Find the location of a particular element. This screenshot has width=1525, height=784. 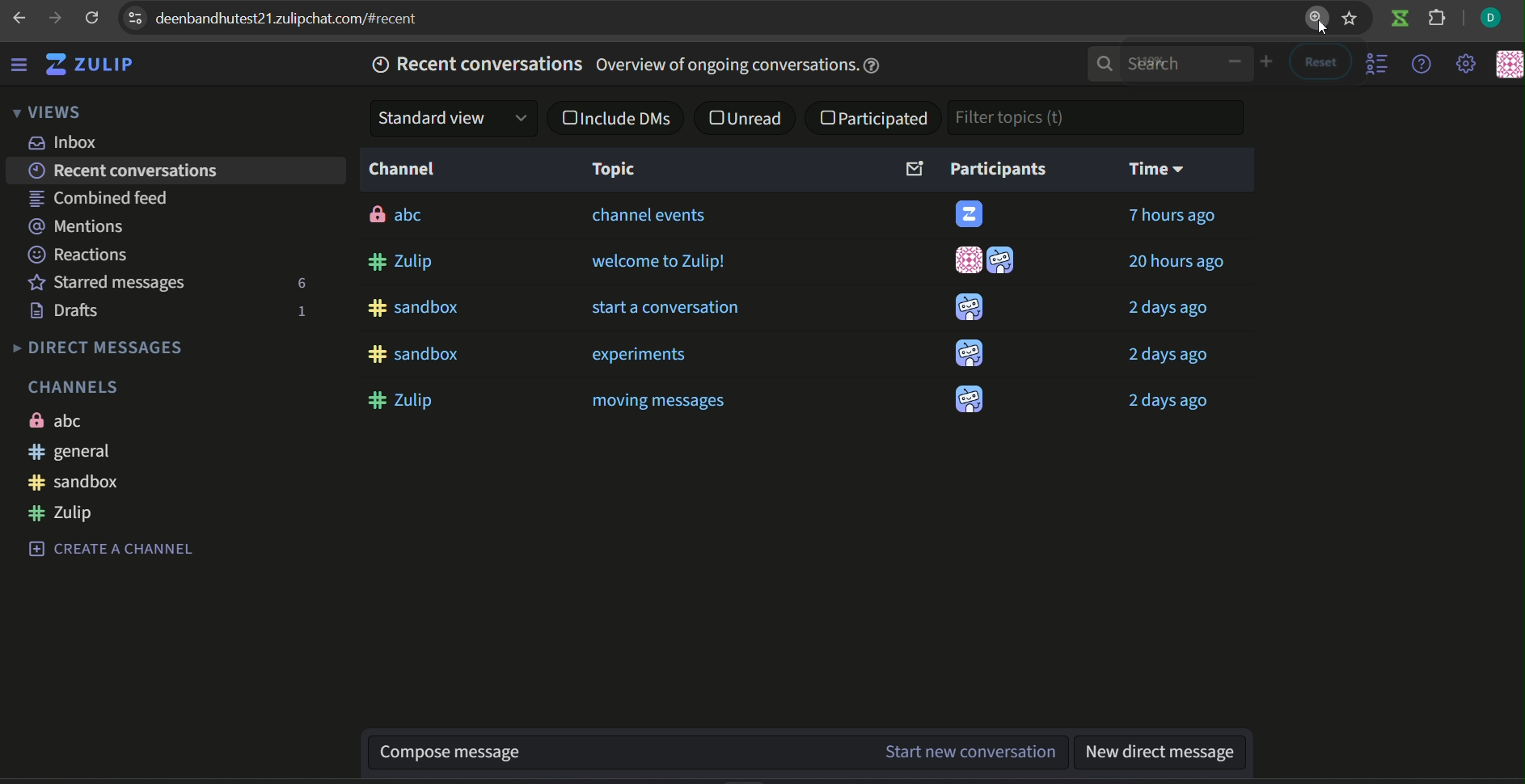

2 days ago is located at coordinates (1169, 310).